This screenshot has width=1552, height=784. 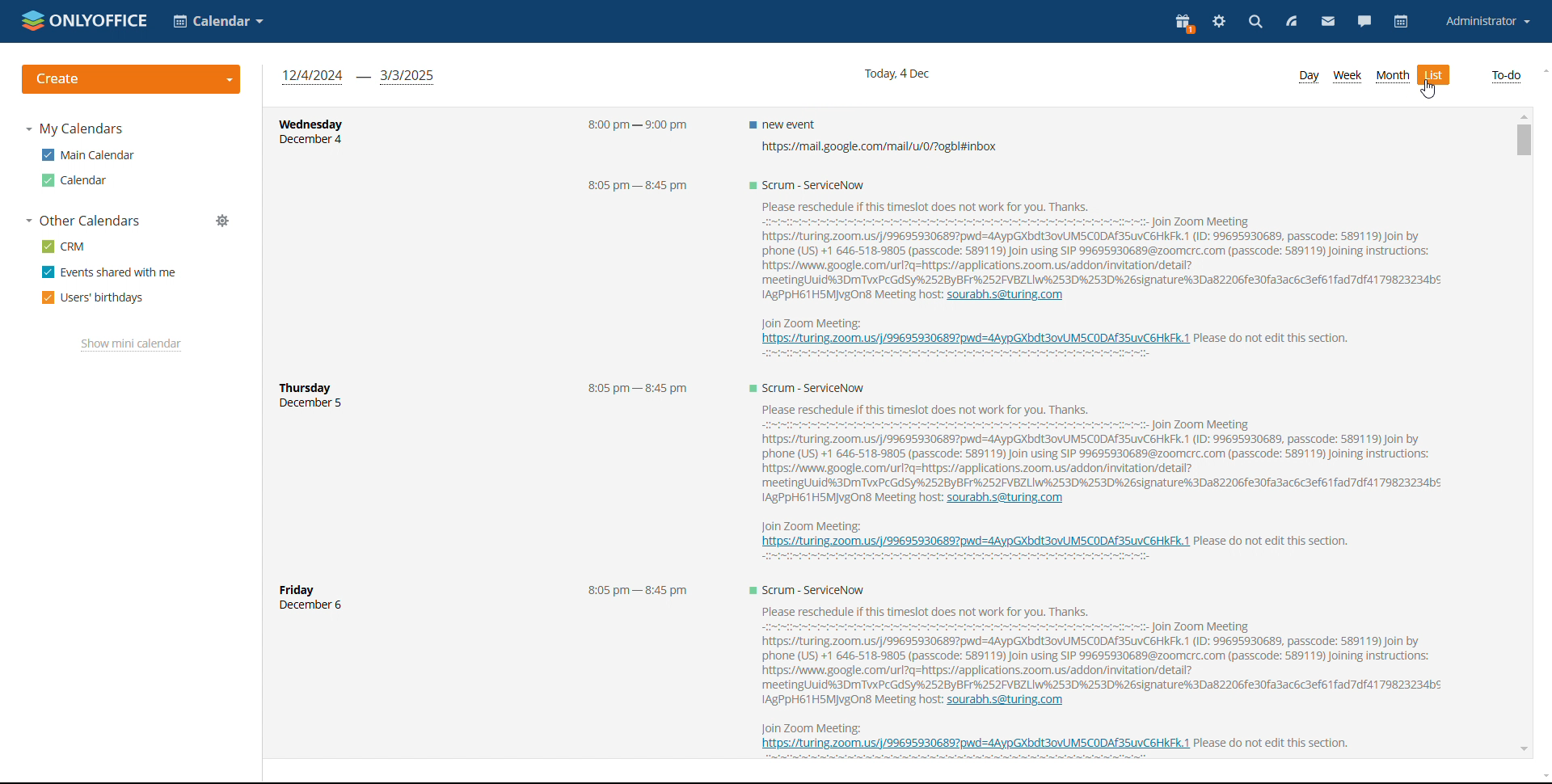 What do you see at coordinates (1090, 241) in the screenshot?
I see `Please reschedule if this timeslot does not work for you. Thanks.i i= [OI Zoom Meetinghitps:/turing.200m.us/}/996959306897pwd=4AYPGXbA3oVUMSCODAF3SUVCEHKFK.1 (ID: 99695930689, passcode: 589119) join byphone (US) +1 646-518-9805 (passcode: 589119) join using SIP 99695930689@zoomcrc.com (passcode: 589119) joining instructions:https://www.google.com/url?q=https://applications.zoom.us/addon/invitation/detail?meetingUuid%3DmTvxPcGdSyvi 252 BBE 25 2FVRZ!1 wd 253D%253D% 26<ignatured3Dat’ 2 206fe30fa3acec3ef6 1fad 7df4179823234b` at bounding box center [1090, 241].